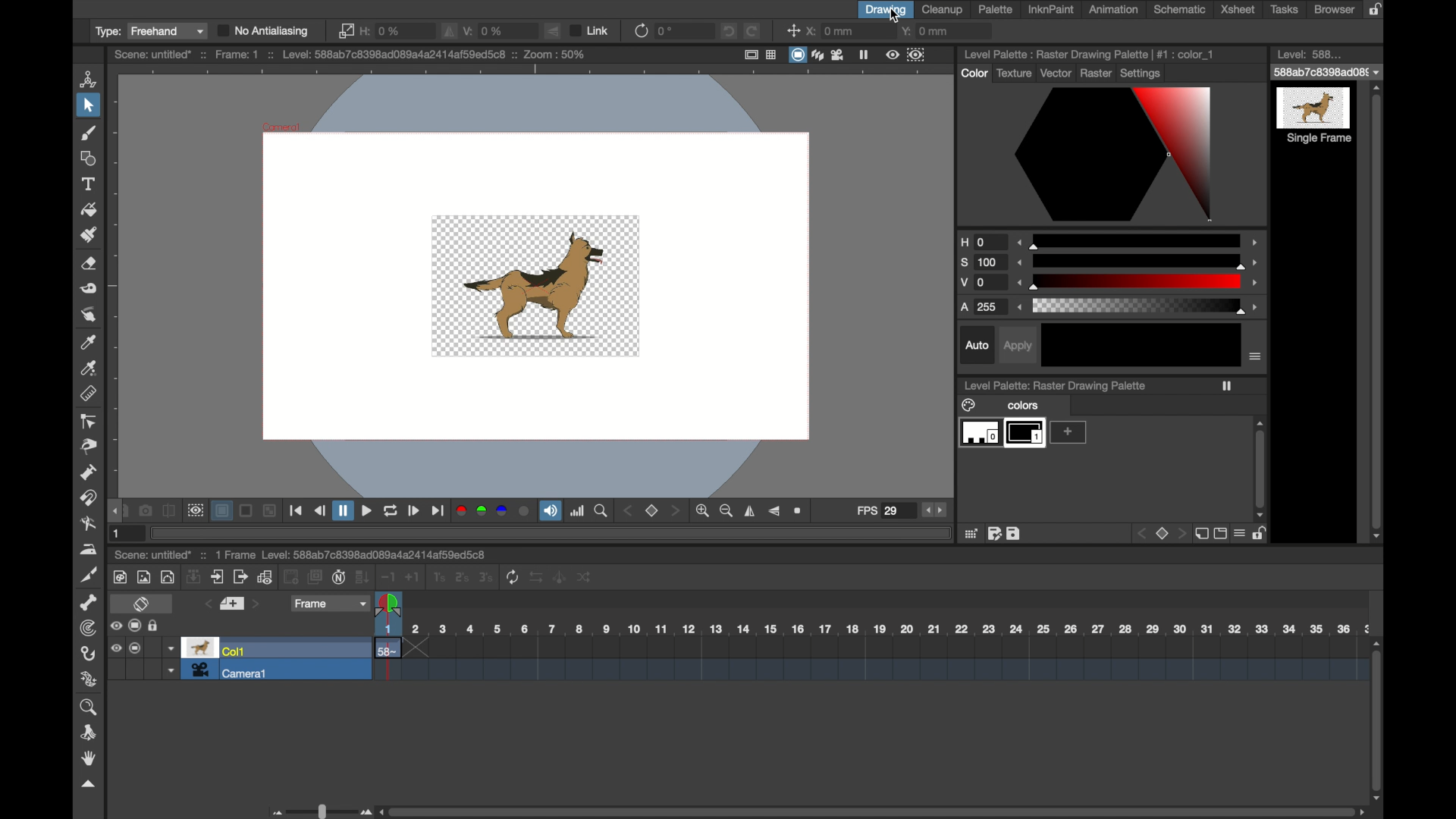  Describe the element at coordinates (320, 555) in the screenshot. I see `description` at that location.